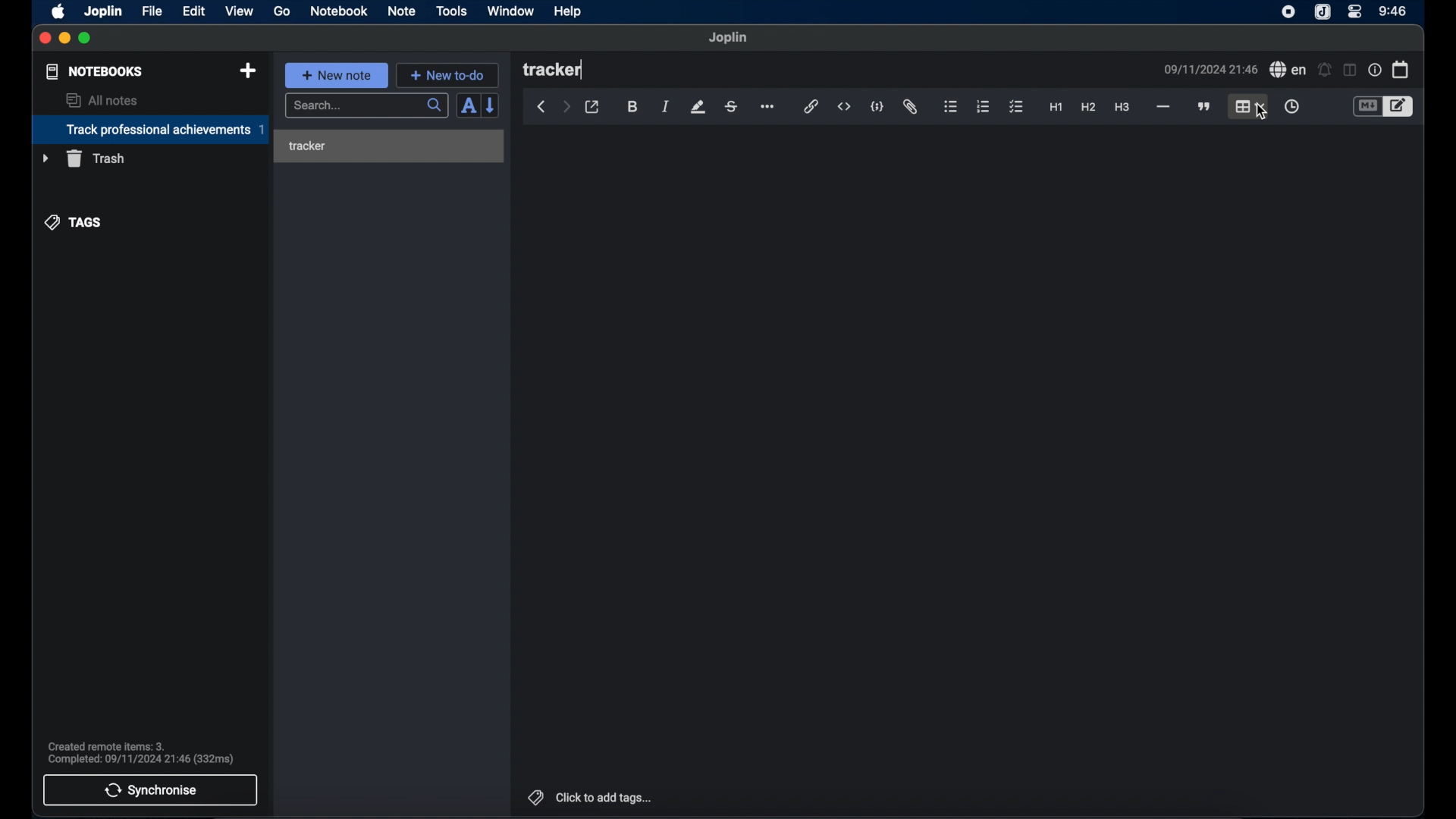  Describe the element at coordinates (1205, 106) in the screenshot. I see `block quote` at that location.